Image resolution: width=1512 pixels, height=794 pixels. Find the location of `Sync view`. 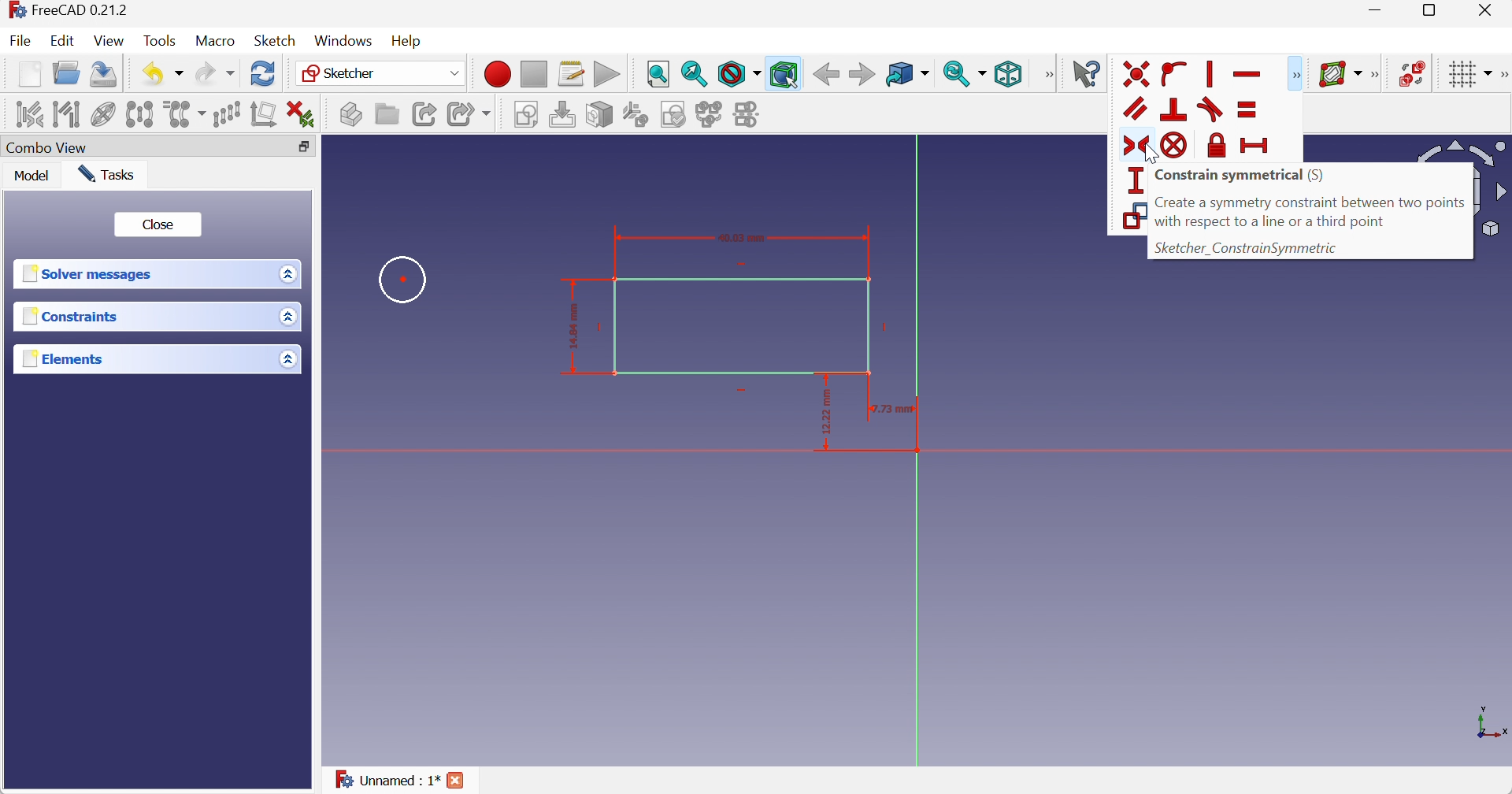

Sync view is located at coordinates (965, 74).